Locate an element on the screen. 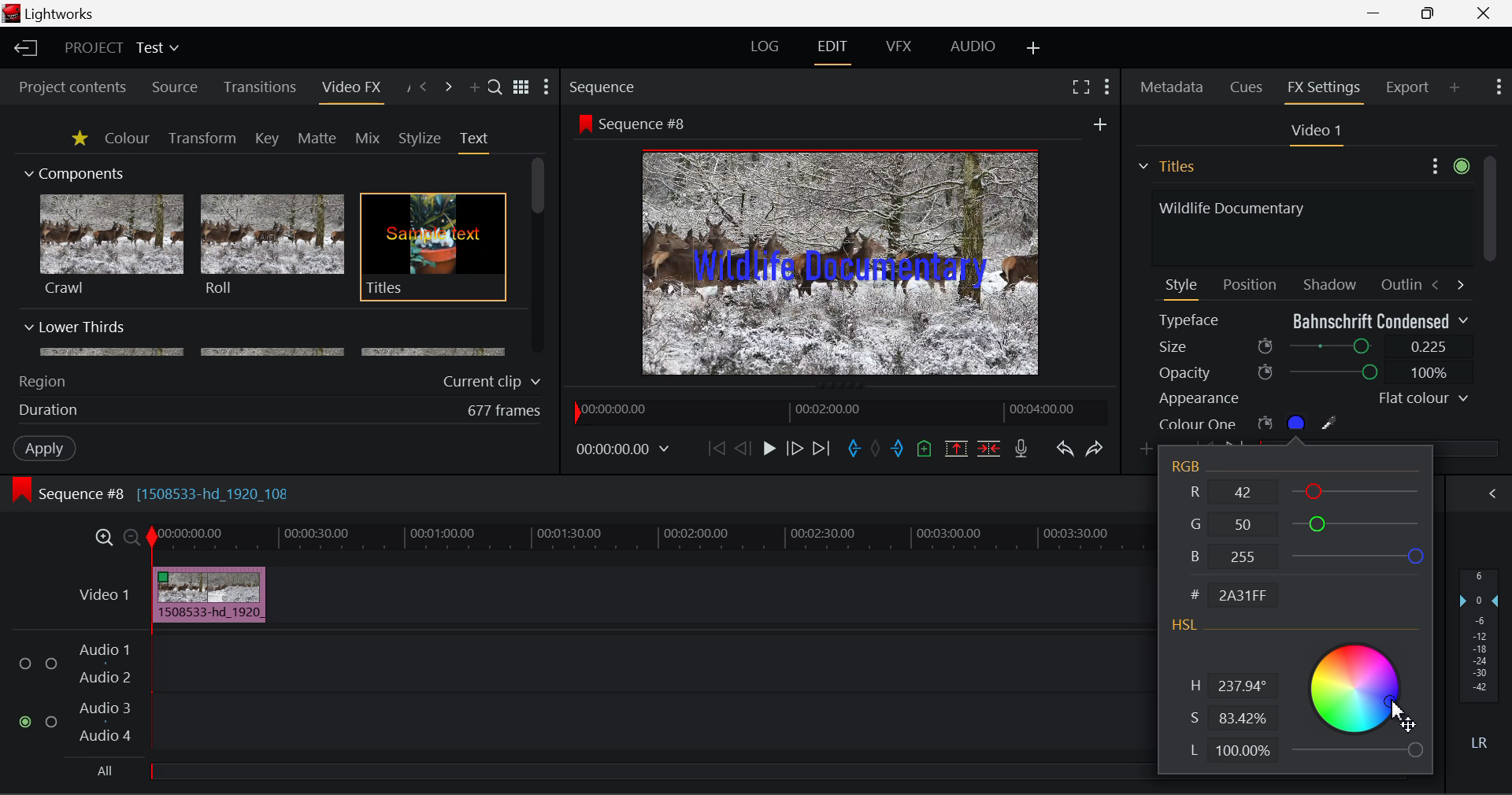 Image resolution: width=1512 pixels, height=795 pixels. Audio 1 is located at coordinates (102, 652).